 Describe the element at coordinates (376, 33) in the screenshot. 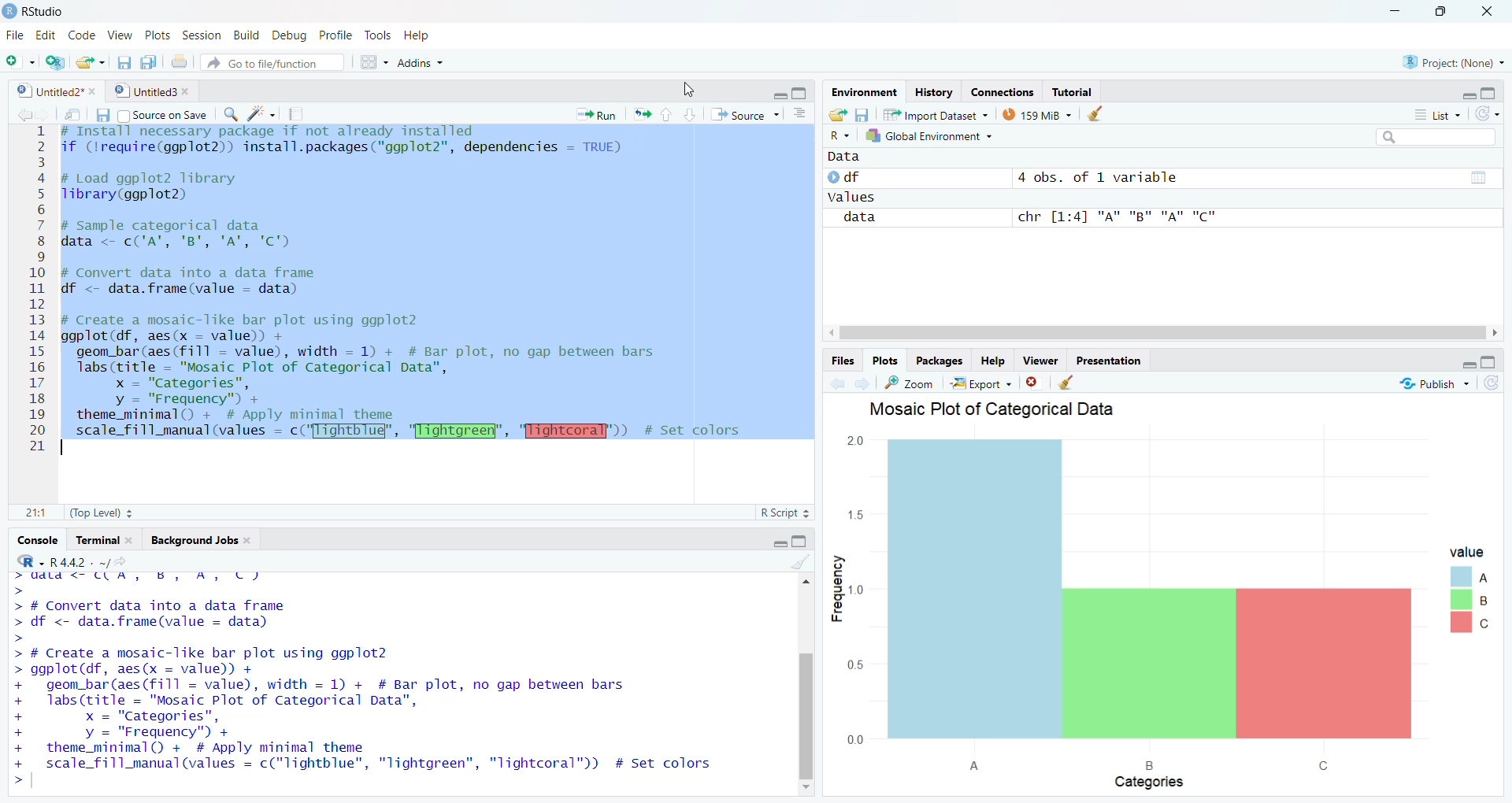

I see `Tools` at that location.